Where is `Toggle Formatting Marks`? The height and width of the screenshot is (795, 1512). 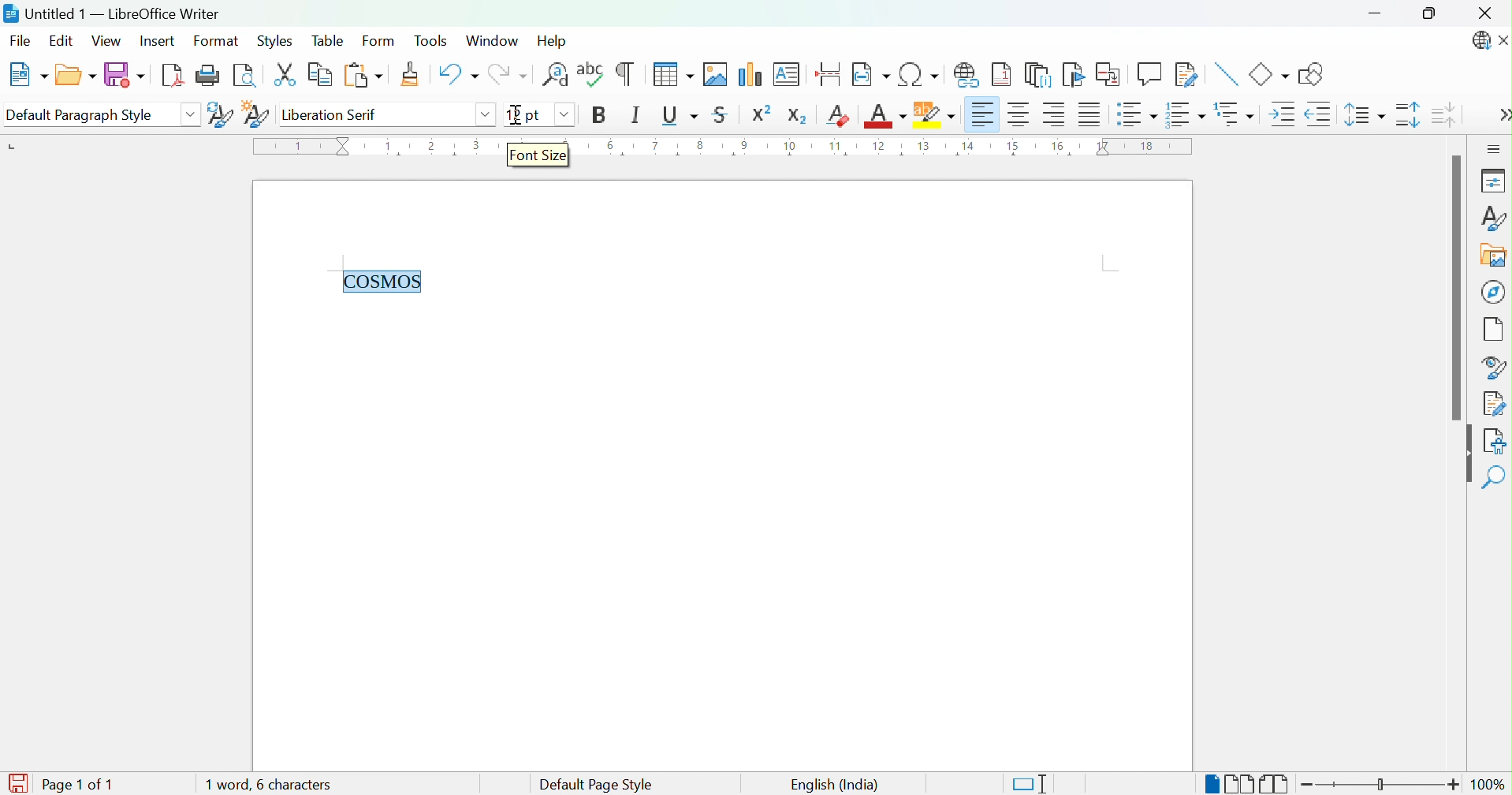
Toggle Formatting Marks is located at coordinates (625, 73).